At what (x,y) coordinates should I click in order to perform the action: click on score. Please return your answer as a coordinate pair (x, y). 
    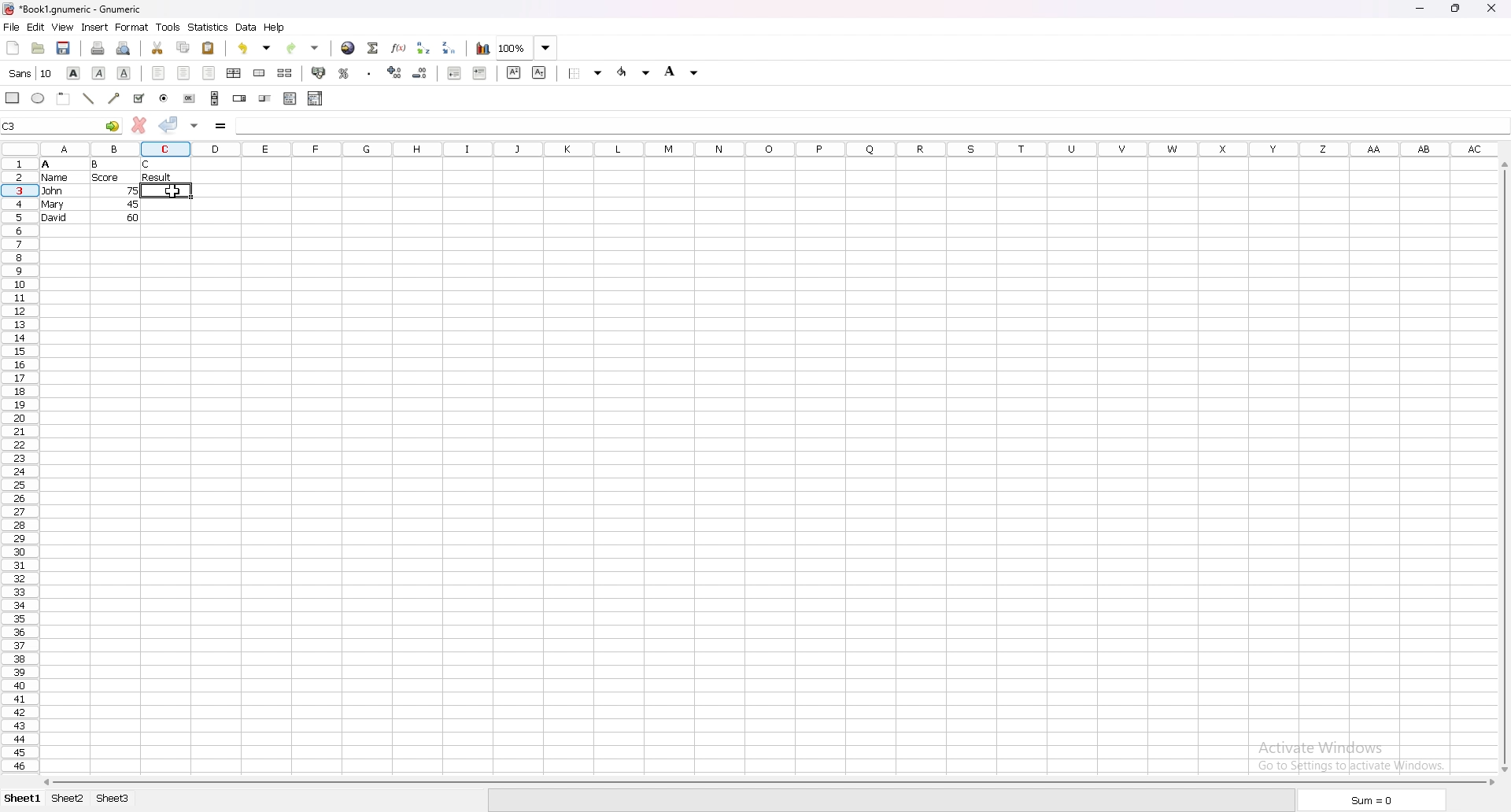
    Looking at the image, I should click on (107, 178).